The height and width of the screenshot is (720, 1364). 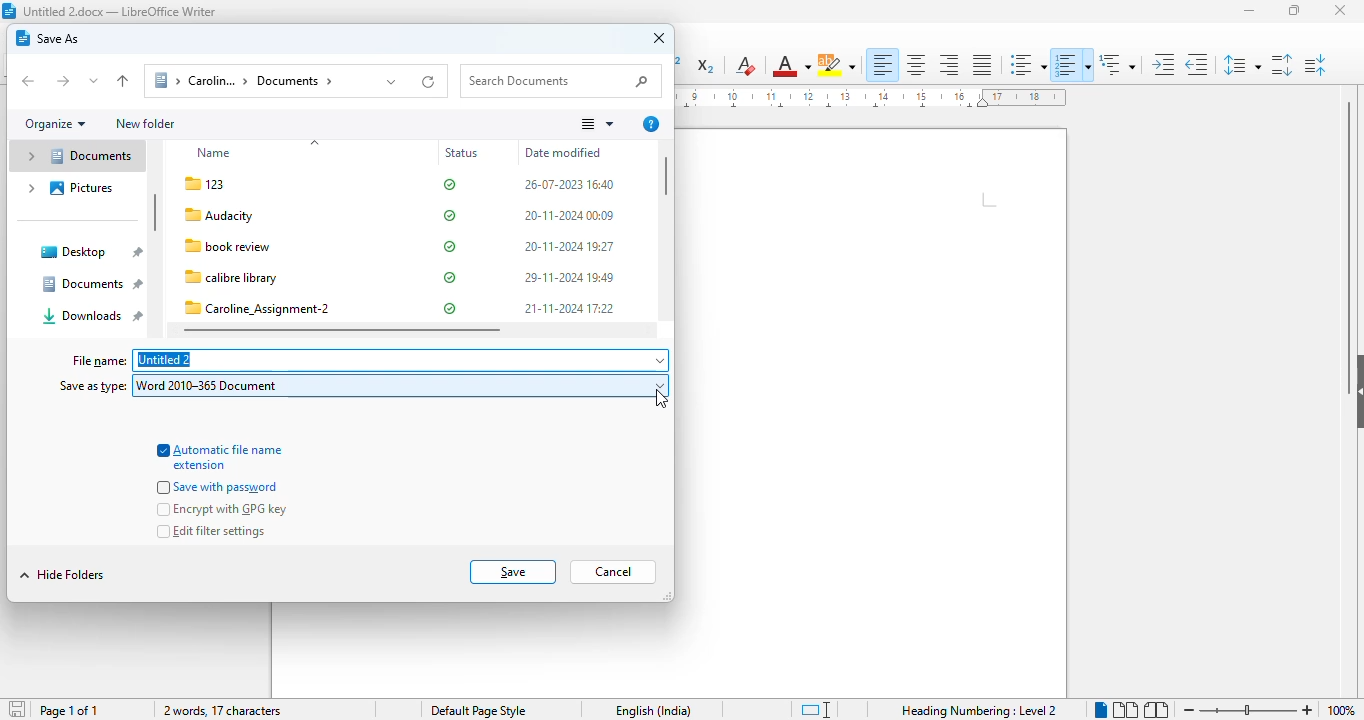 I want to click on back, so click(x=29, y=81).